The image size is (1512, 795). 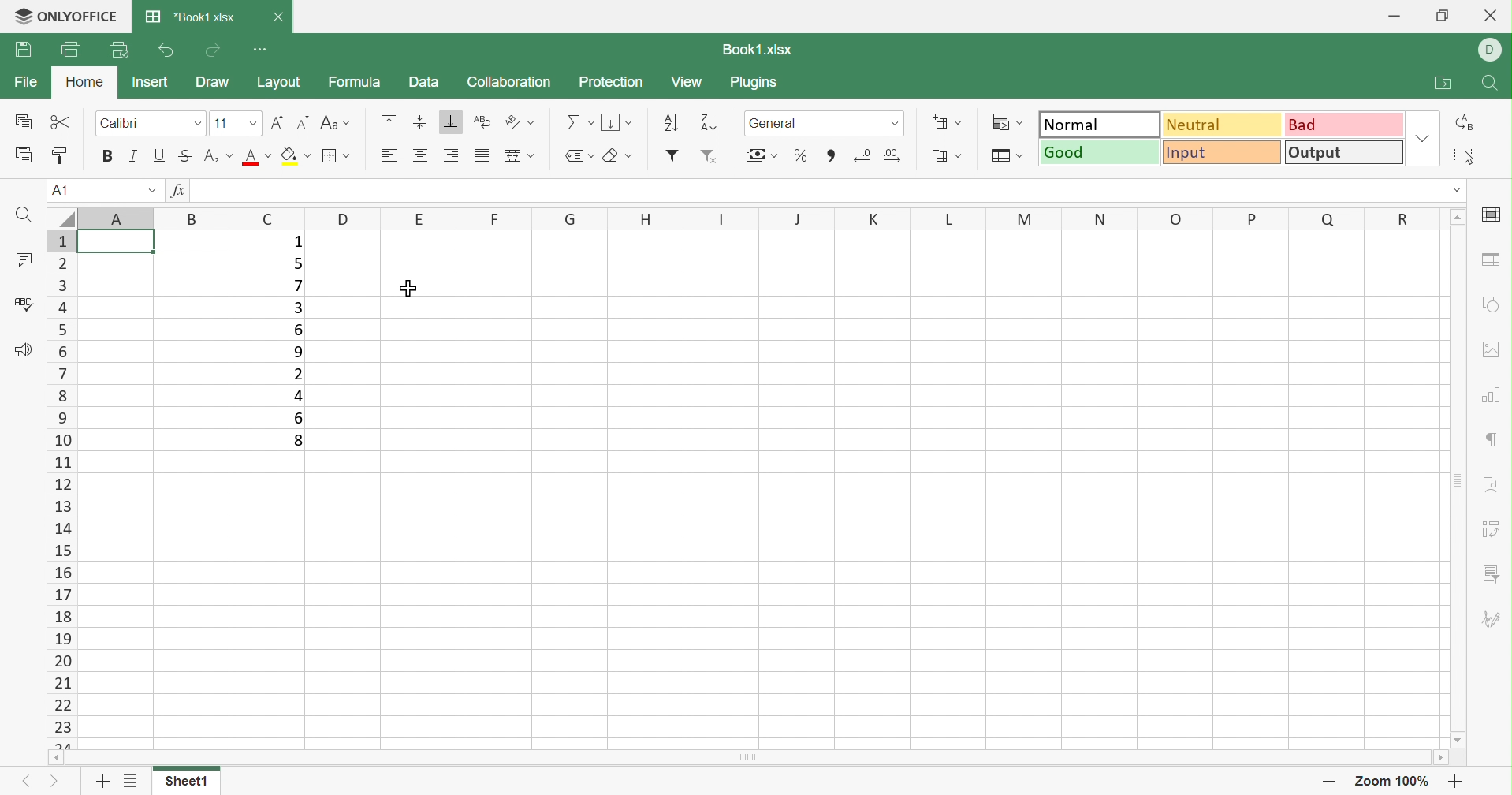 What do you see at coordinates (1496, 438) in the screenshot?
I see `Paragraph settings` at bounding box center [1496, 438].